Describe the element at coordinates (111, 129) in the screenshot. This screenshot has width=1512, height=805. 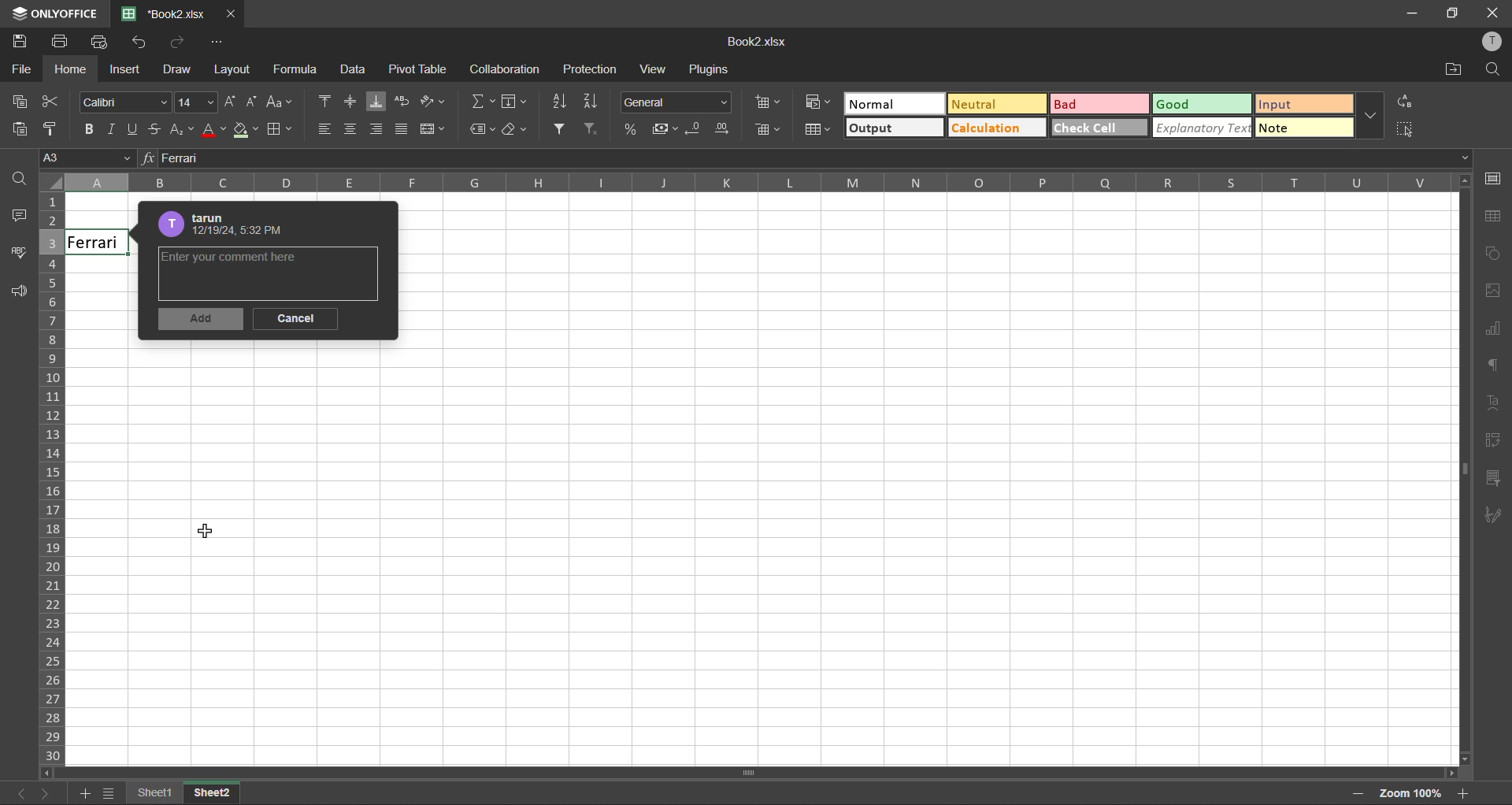
I see `italic` at that location.